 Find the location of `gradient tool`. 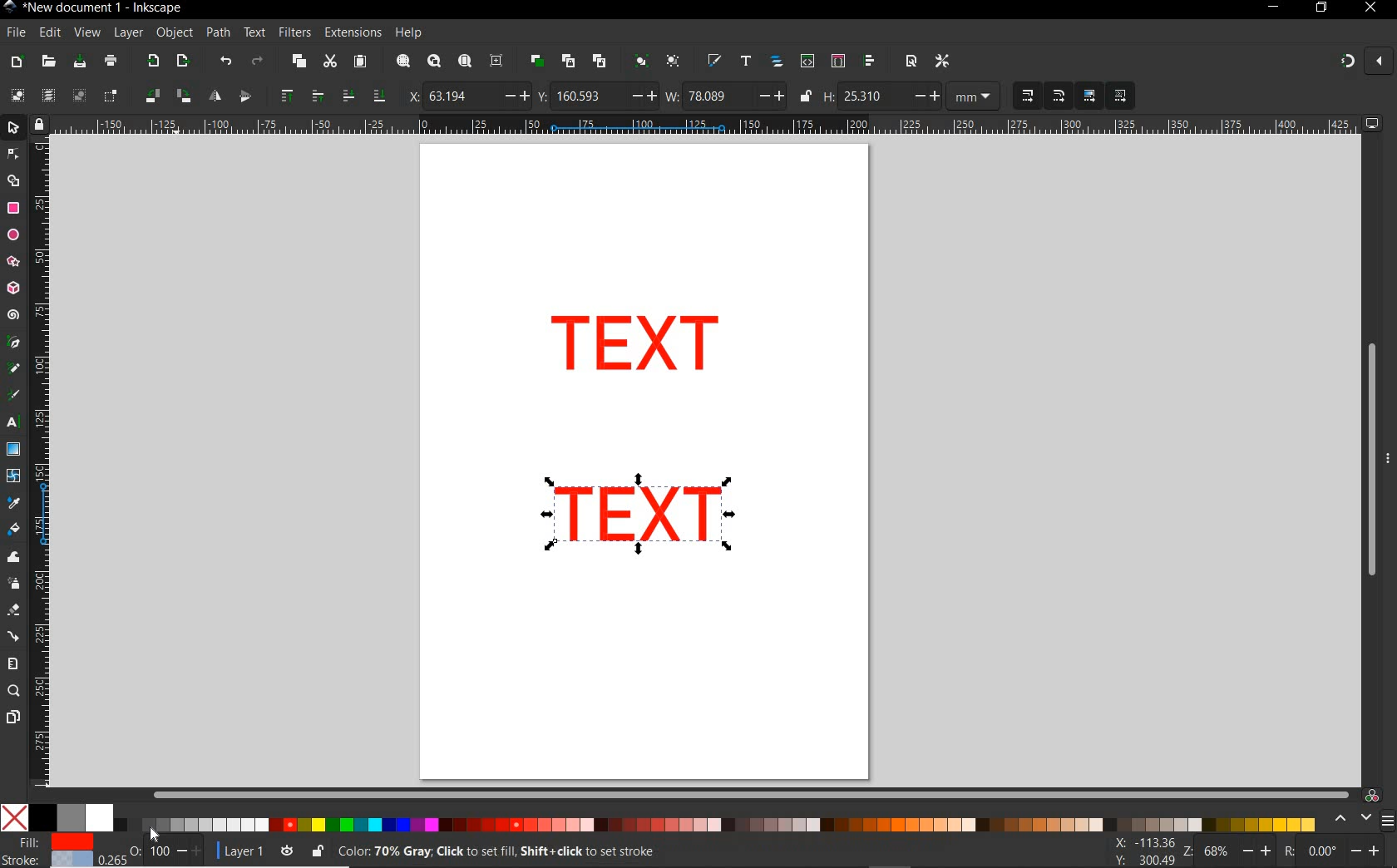

gradient tool is located at coordinates (13, 450).